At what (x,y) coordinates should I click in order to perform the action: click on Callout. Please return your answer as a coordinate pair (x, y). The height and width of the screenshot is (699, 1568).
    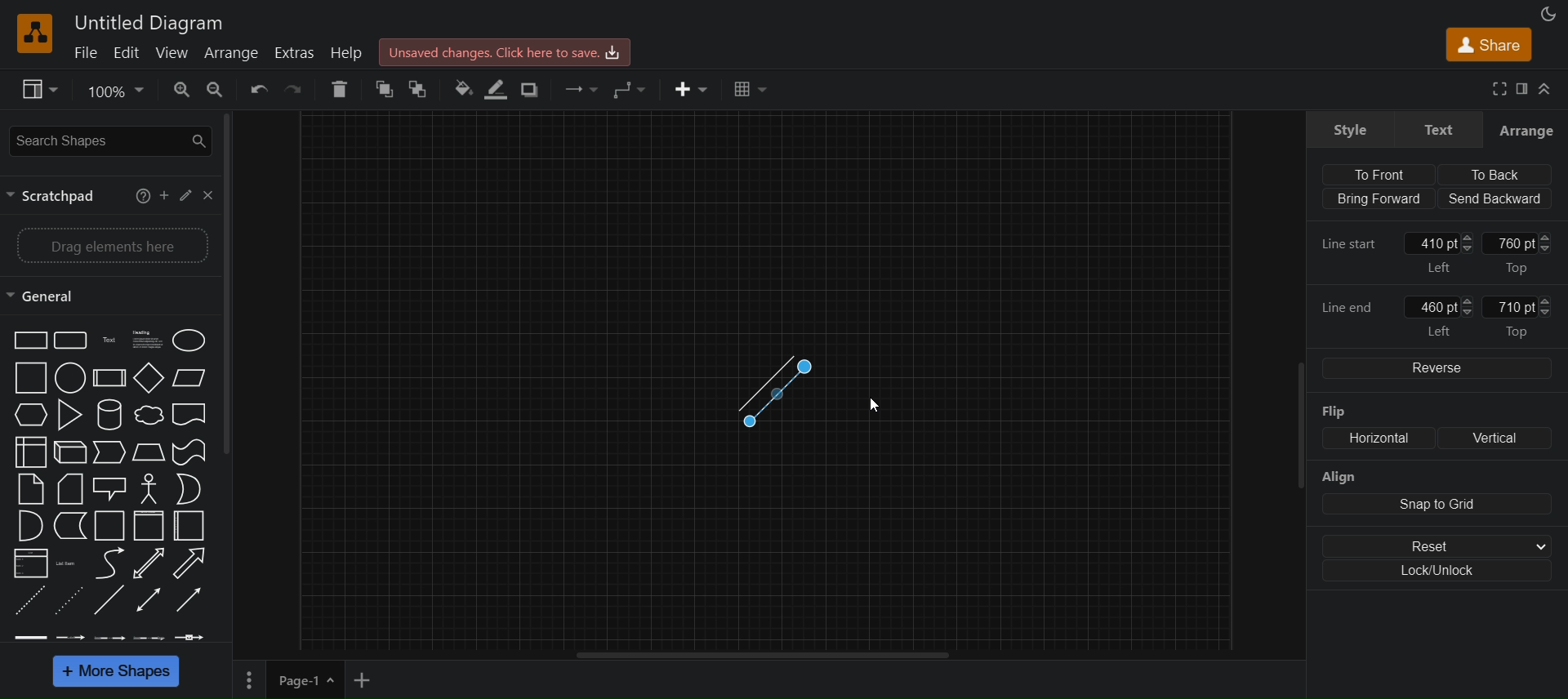
    Looking at the image, I should click on (109, 488).